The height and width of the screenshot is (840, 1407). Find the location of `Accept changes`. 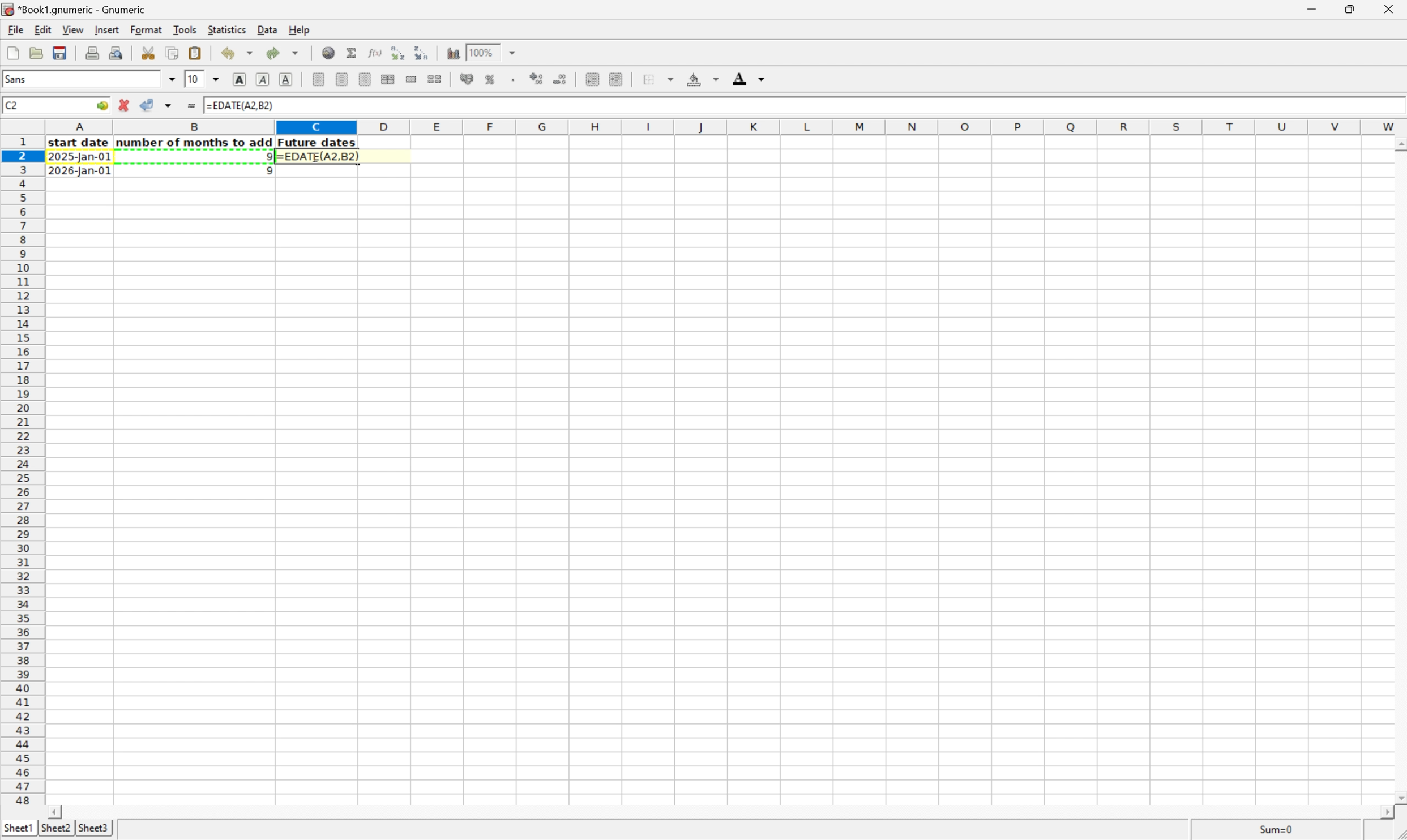

Accept changes is located at coordinates (148, 105).